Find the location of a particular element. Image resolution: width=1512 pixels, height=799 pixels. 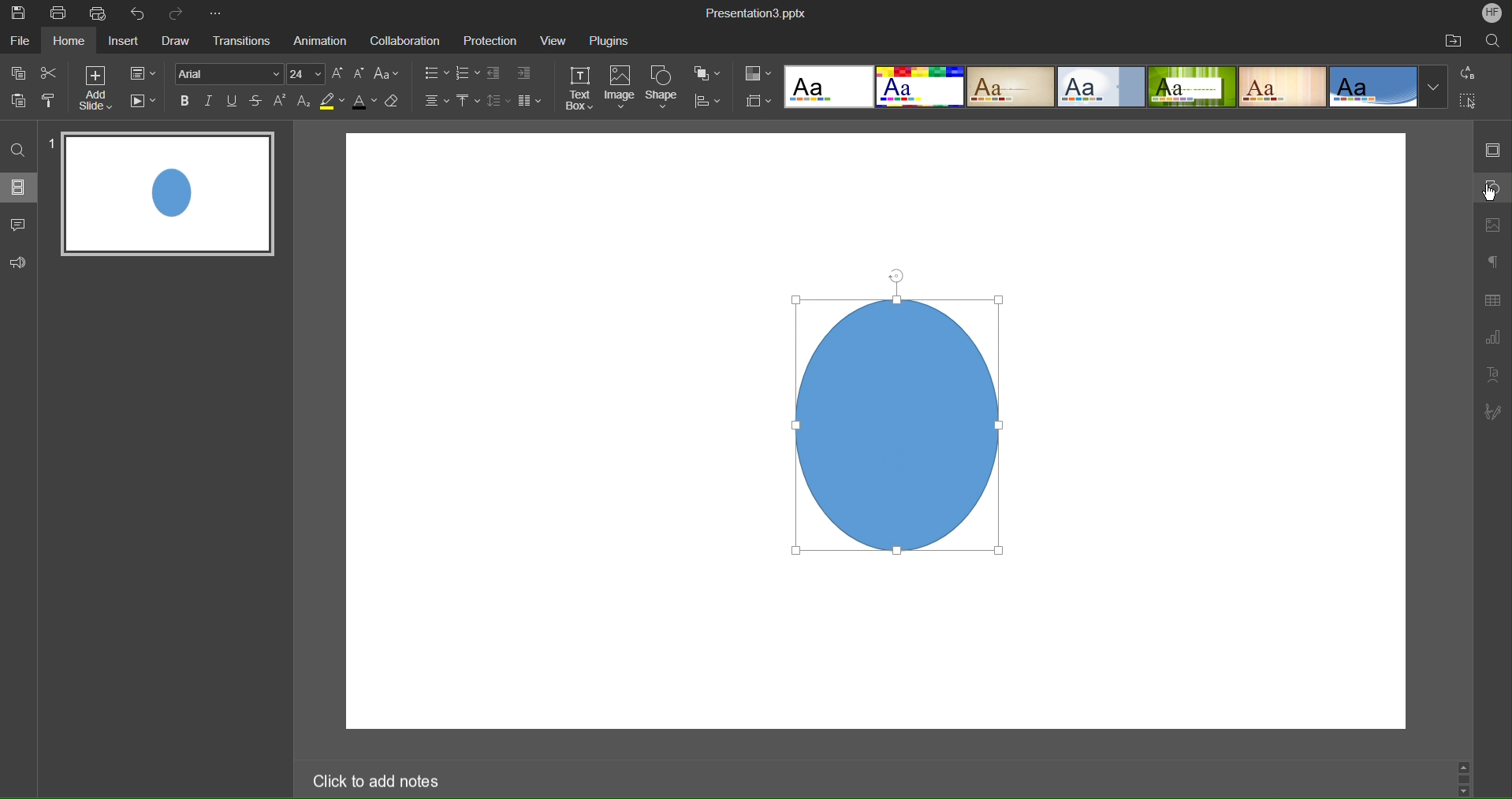

Quick Print is located at coordinates (98, 13).